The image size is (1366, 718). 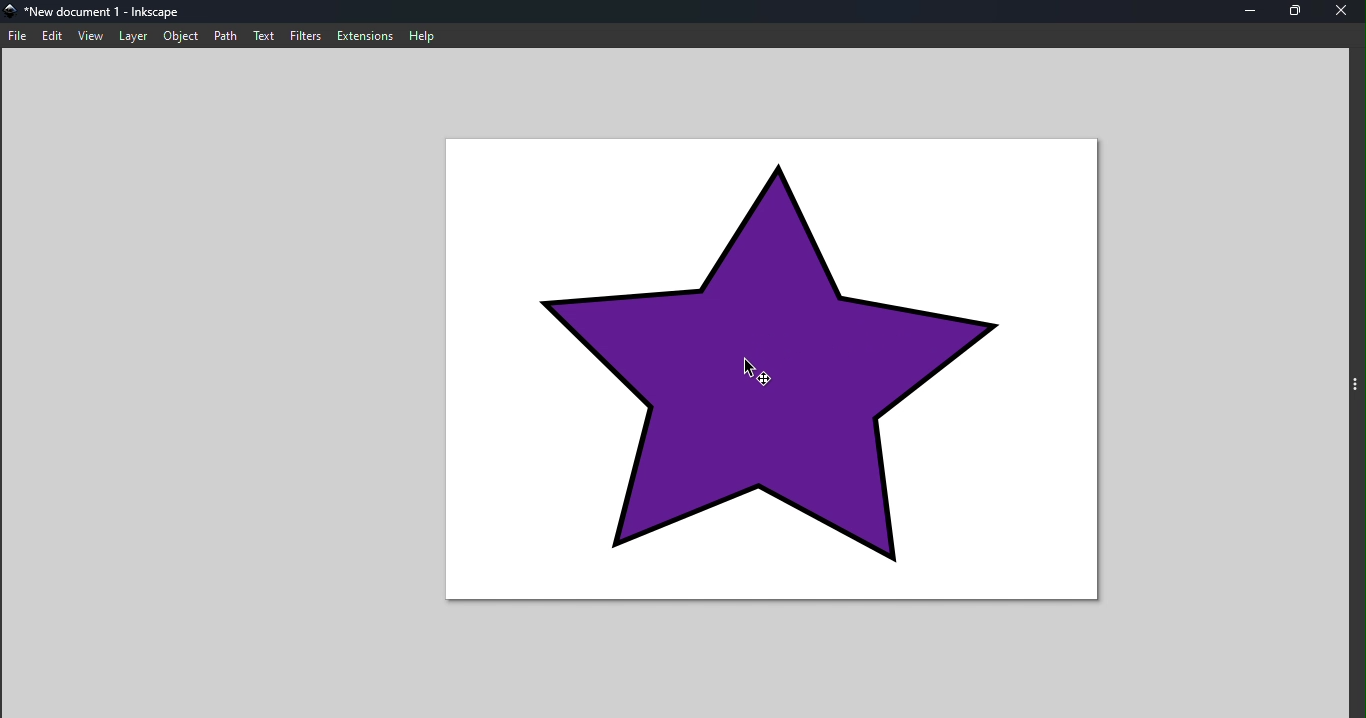 What do you see at coordinates (1353, 385) in the screenshot?
I see `Toggle command panel` at bounding box center [1353, 385].